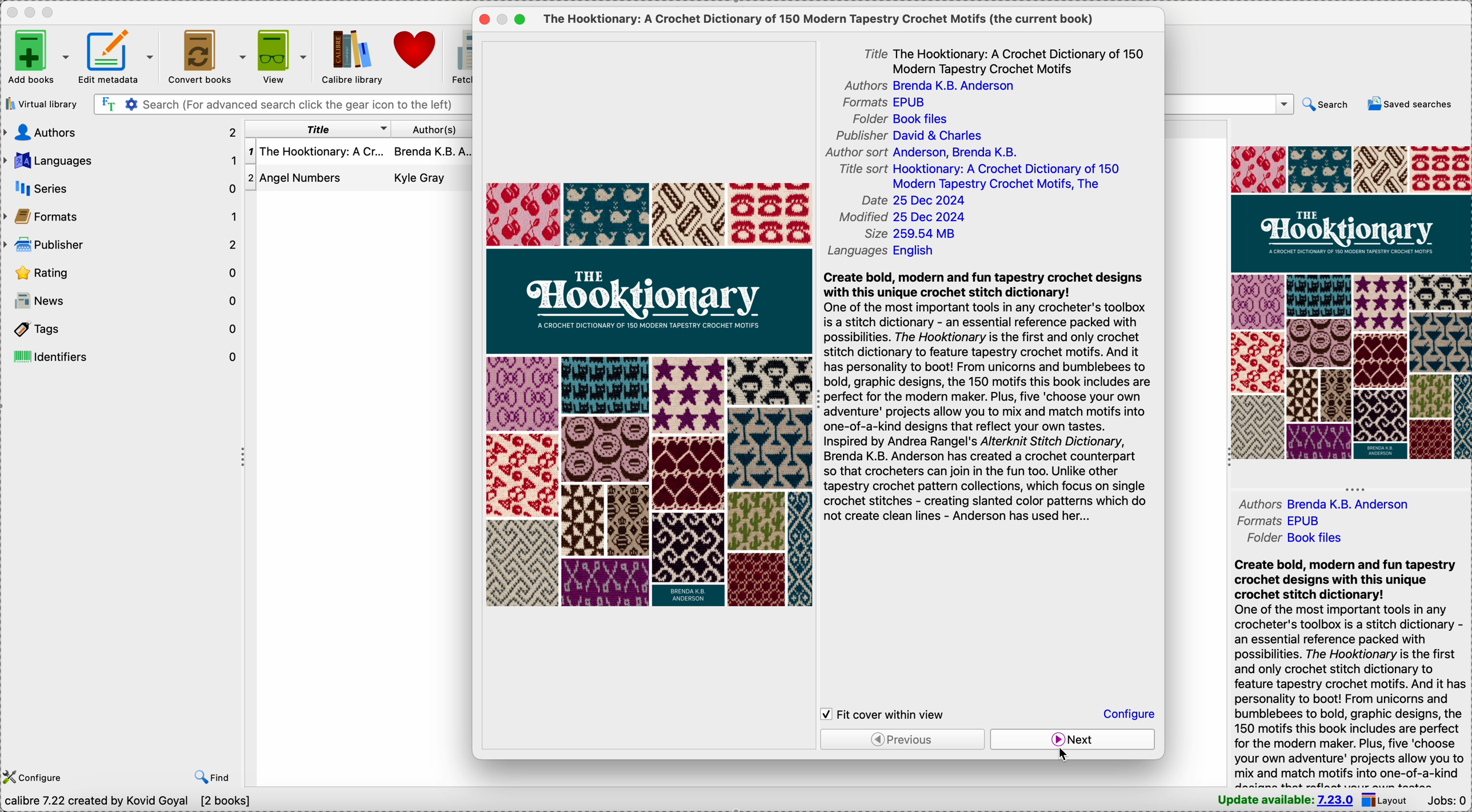  I want to click on search bar, so click(1230, 104).